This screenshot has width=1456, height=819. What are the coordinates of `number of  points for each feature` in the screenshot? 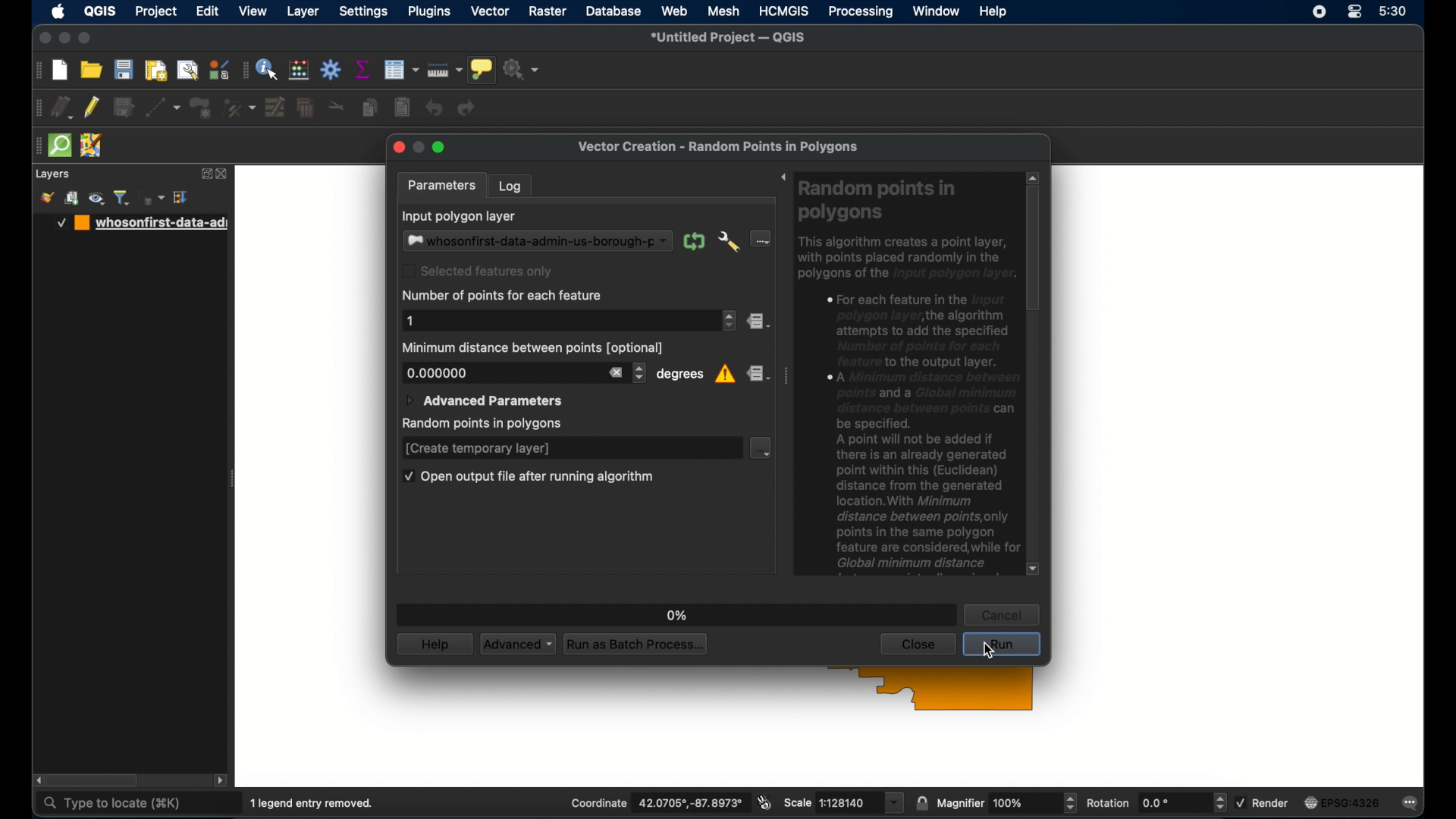 It's located at (502, 297).